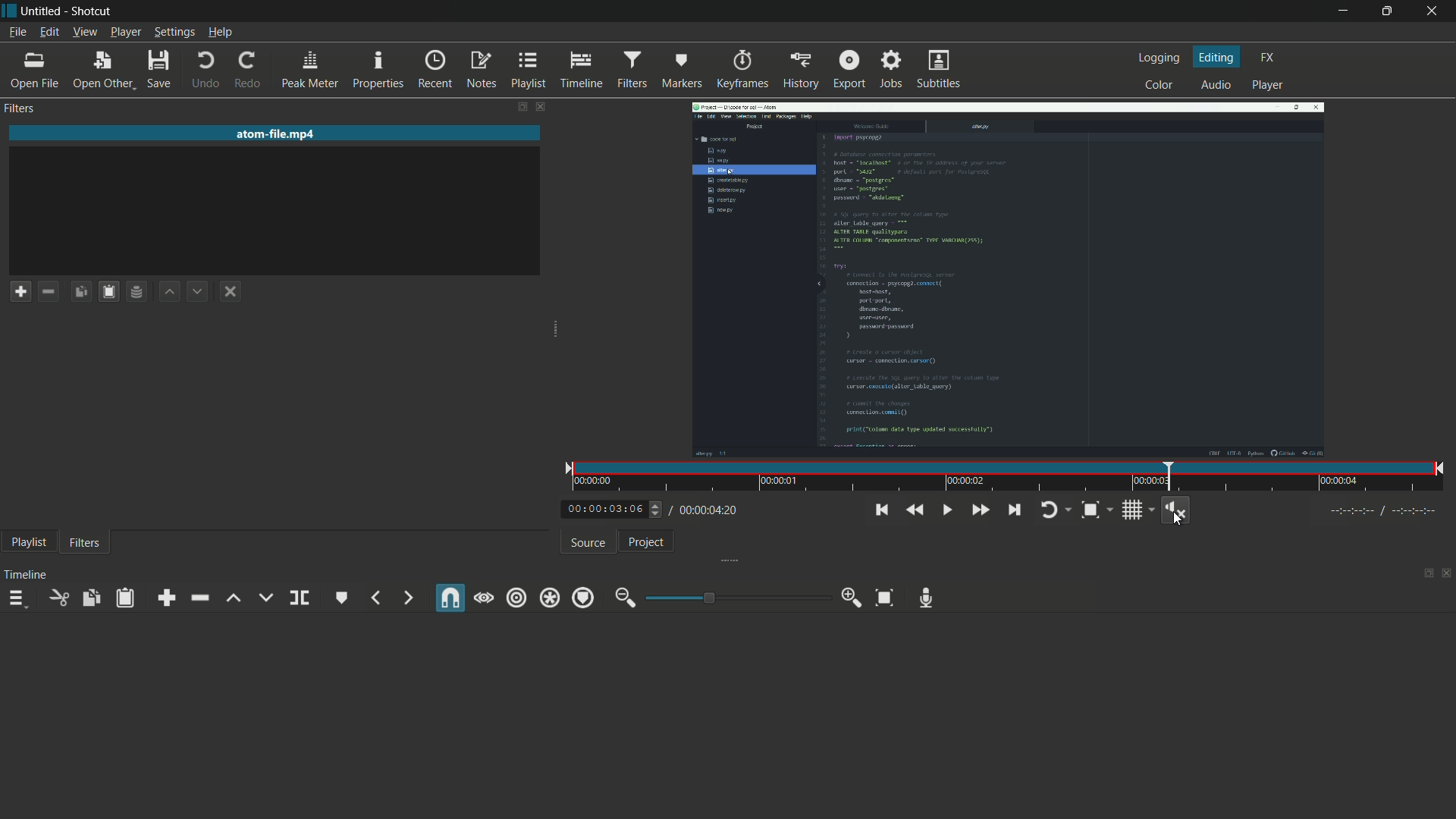  I want to click on zoom in, so click(852, 597).